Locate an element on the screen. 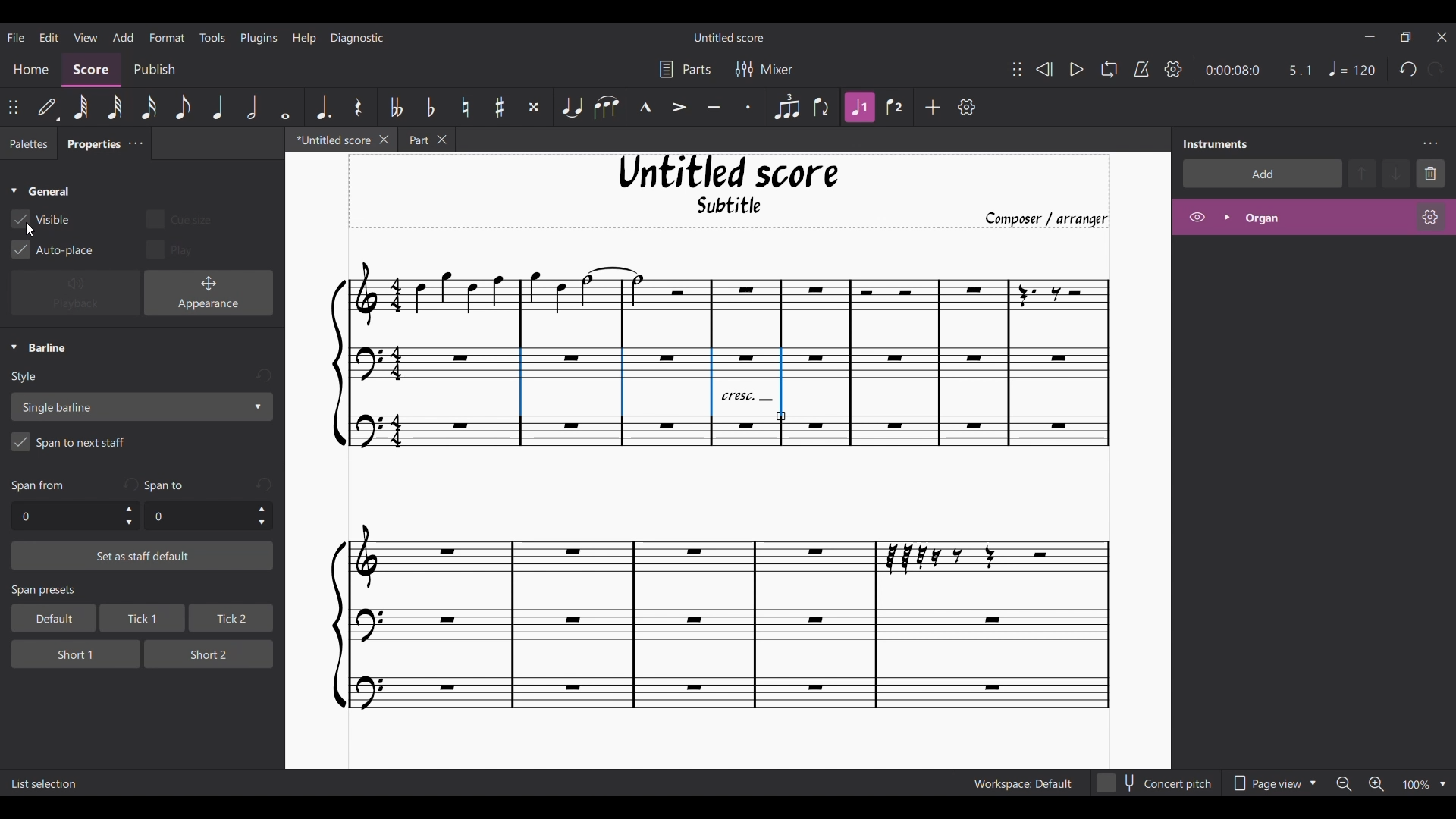 The image size is (1456, 819). View menu is located at coordinates (85, 36).